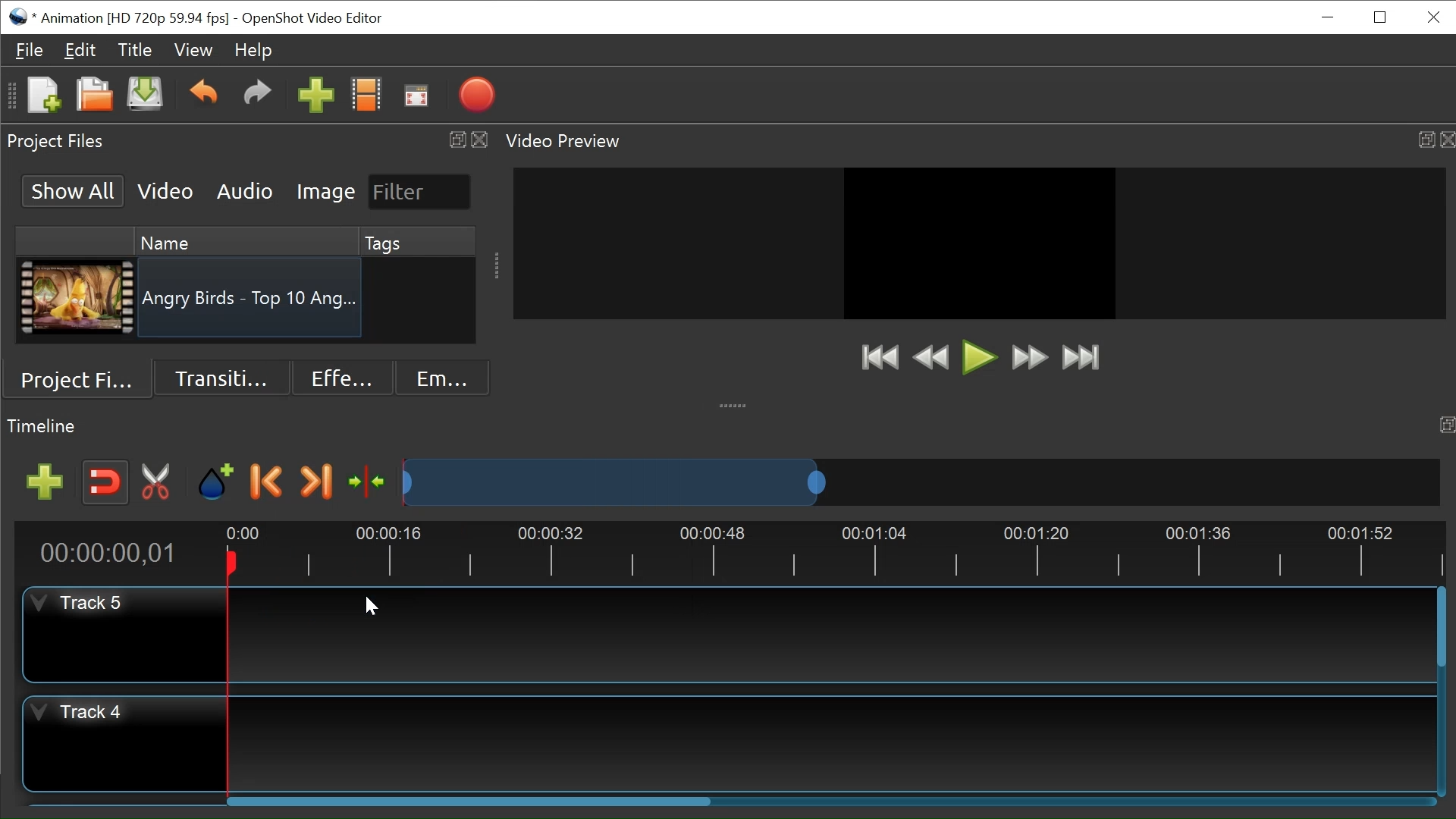  I want to click on Jump to End, so click(1081, 358).